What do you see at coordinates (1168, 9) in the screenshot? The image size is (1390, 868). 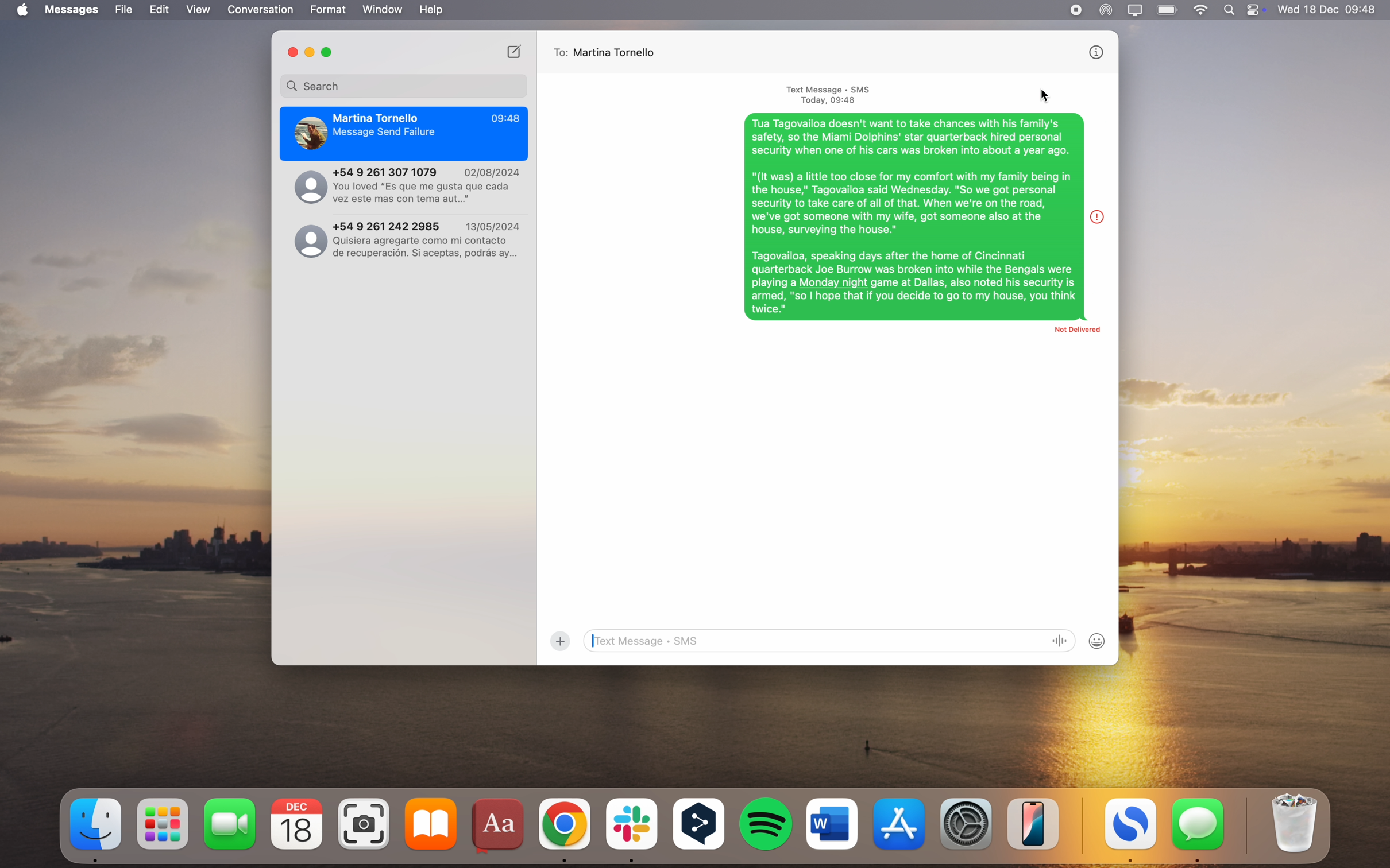 I see `battery` at bounding box center [1168, 9].